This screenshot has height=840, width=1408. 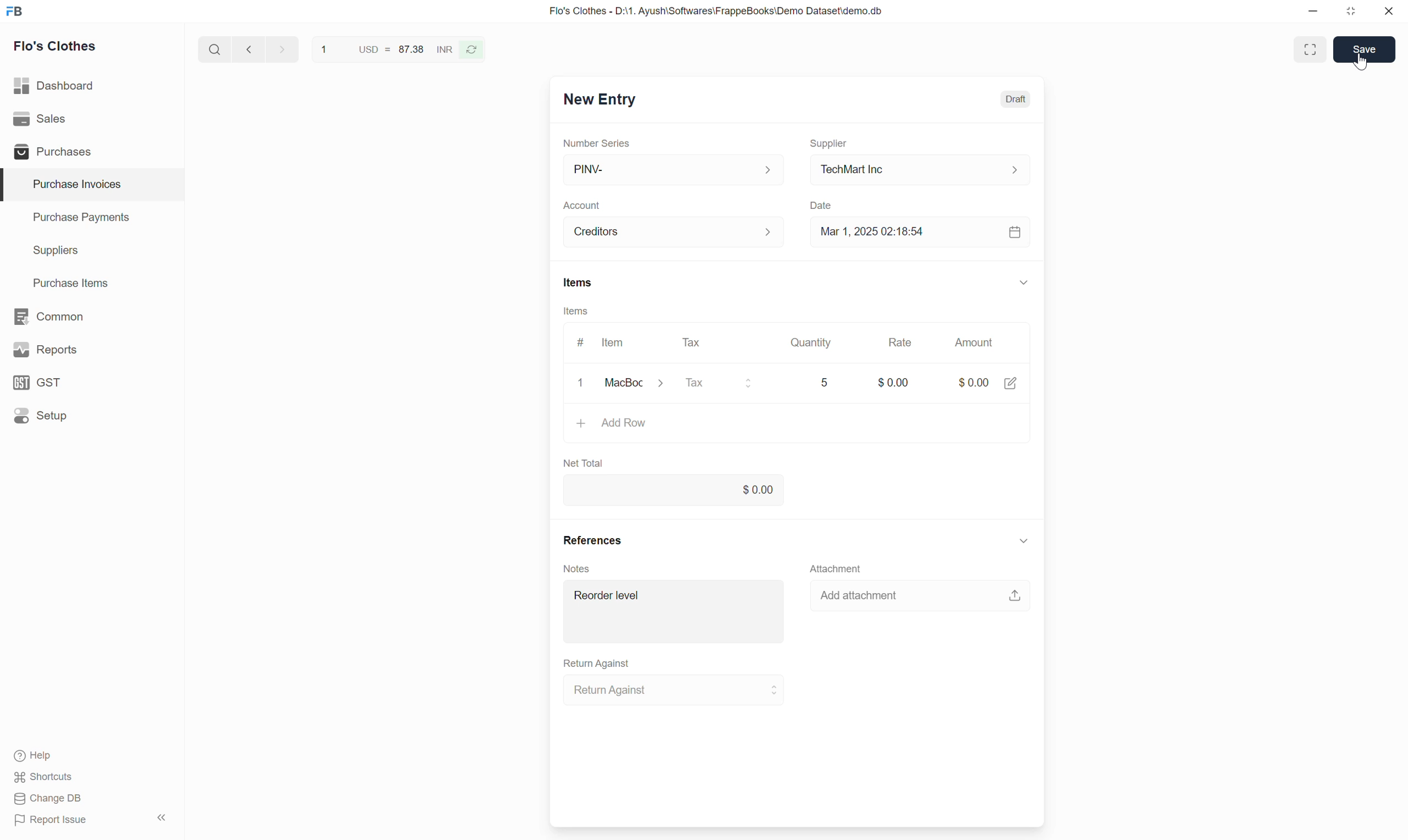 I want to click on $0.00, so click(x=893, y=378).